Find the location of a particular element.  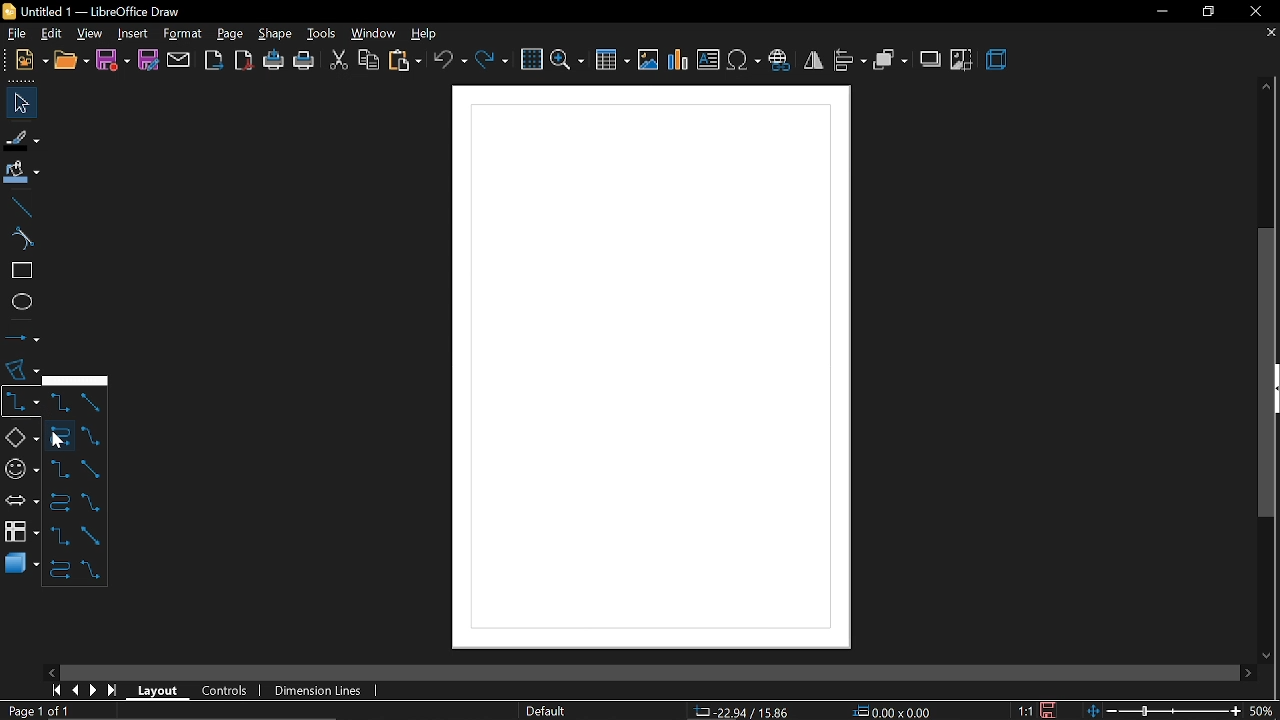

cut  is located at coordinates (337, 62).